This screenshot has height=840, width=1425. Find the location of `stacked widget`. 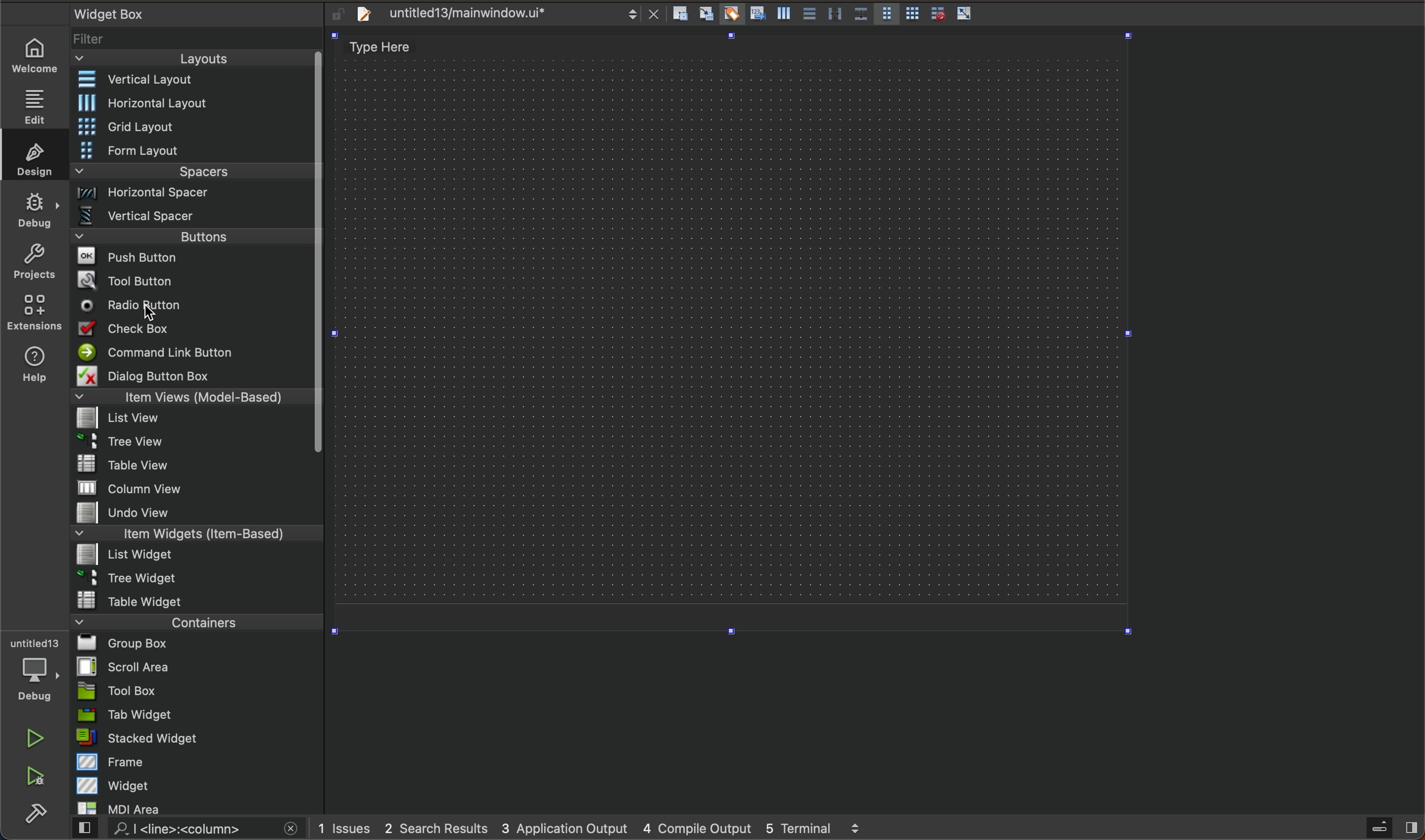

stacked widget is located at coordinates (198, 738).